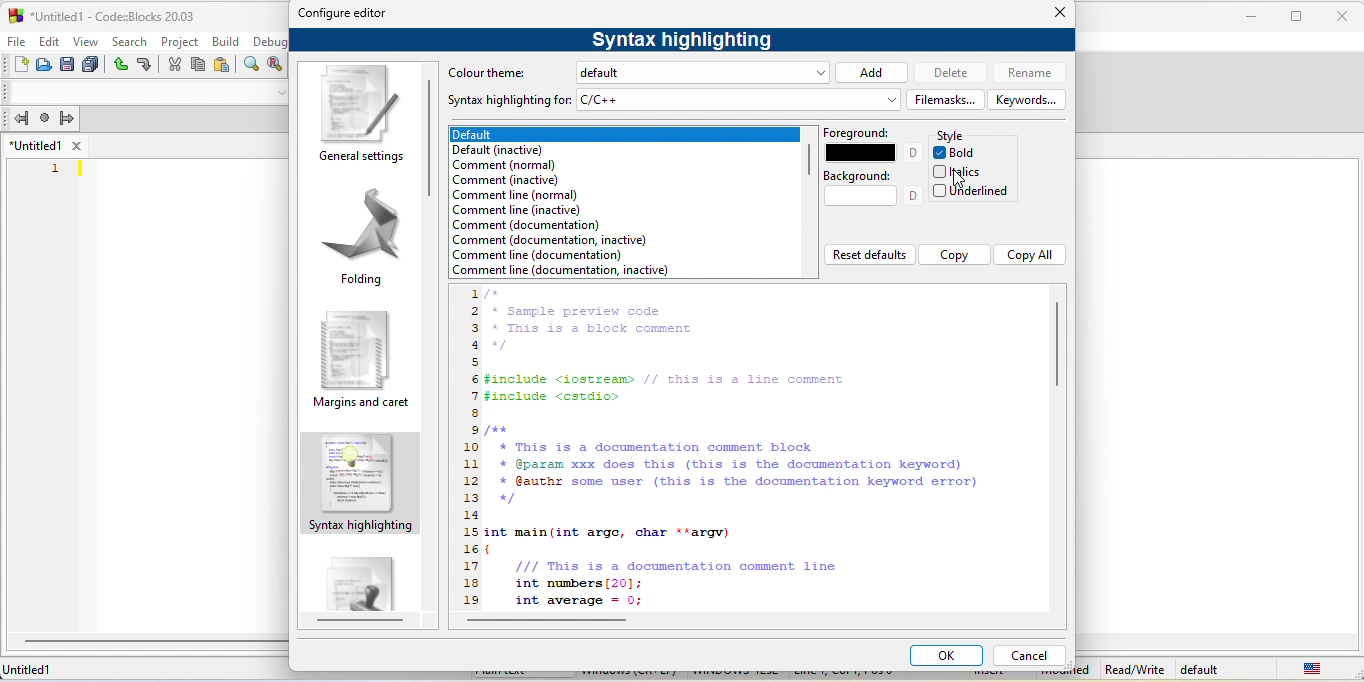 This screenshot has height=682, width=1364. I want to click on jump back, so click(20, 118).